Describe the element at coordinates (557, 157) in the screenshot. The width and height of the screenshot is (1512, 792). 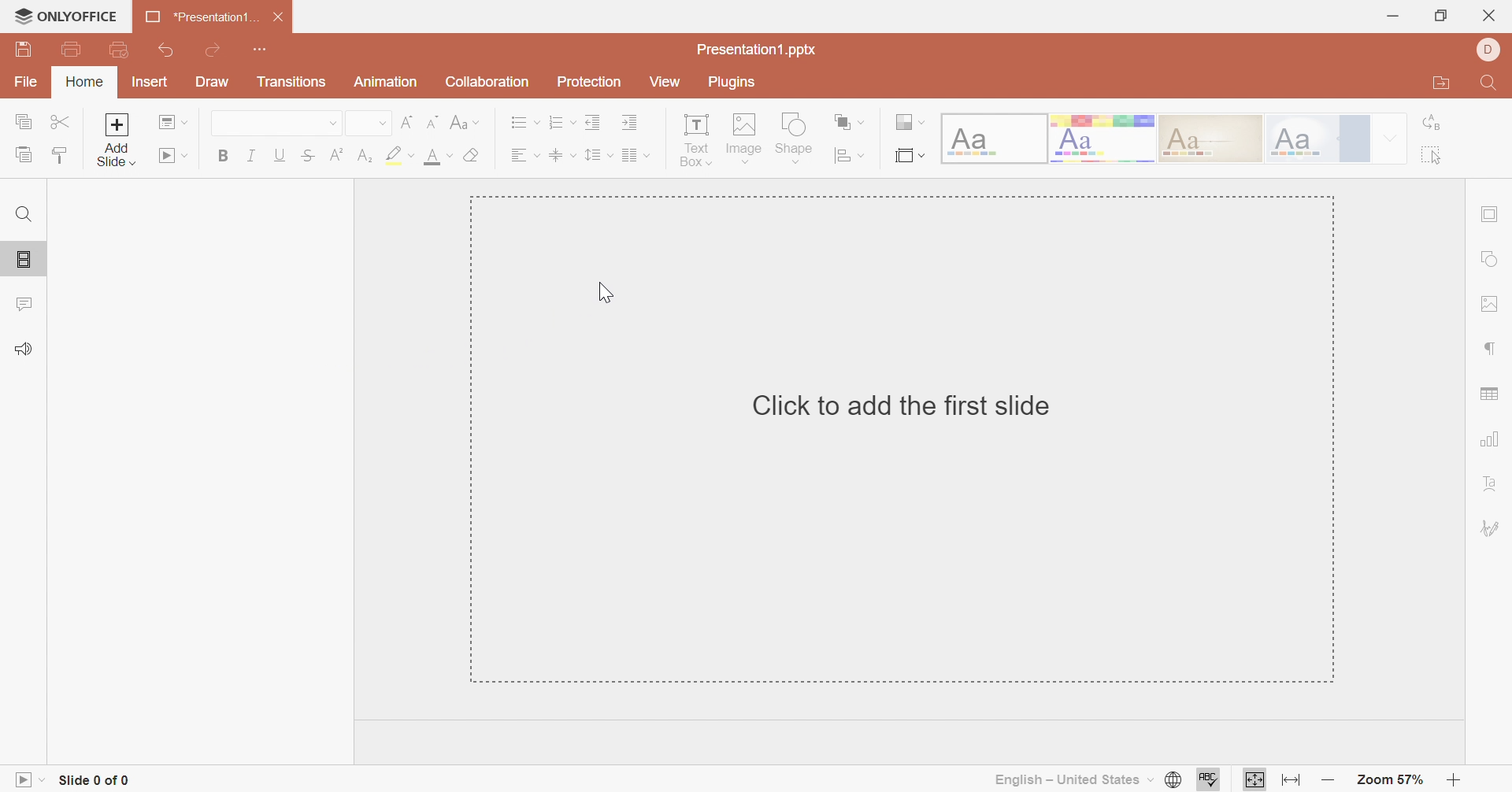
I see `Align Text to Middle` at that location.